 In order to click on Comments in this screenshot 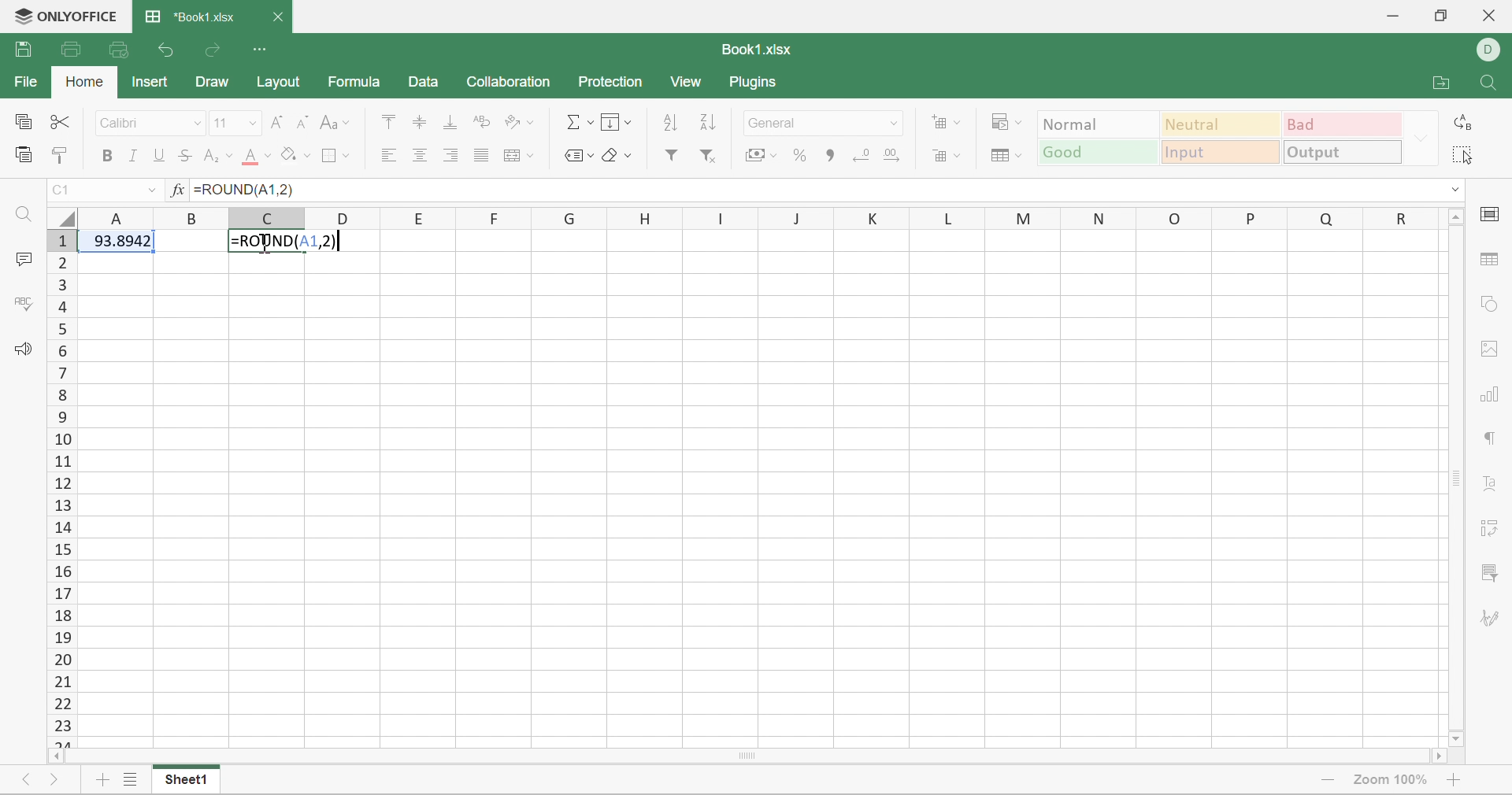, I will do `click(22, 260)`.